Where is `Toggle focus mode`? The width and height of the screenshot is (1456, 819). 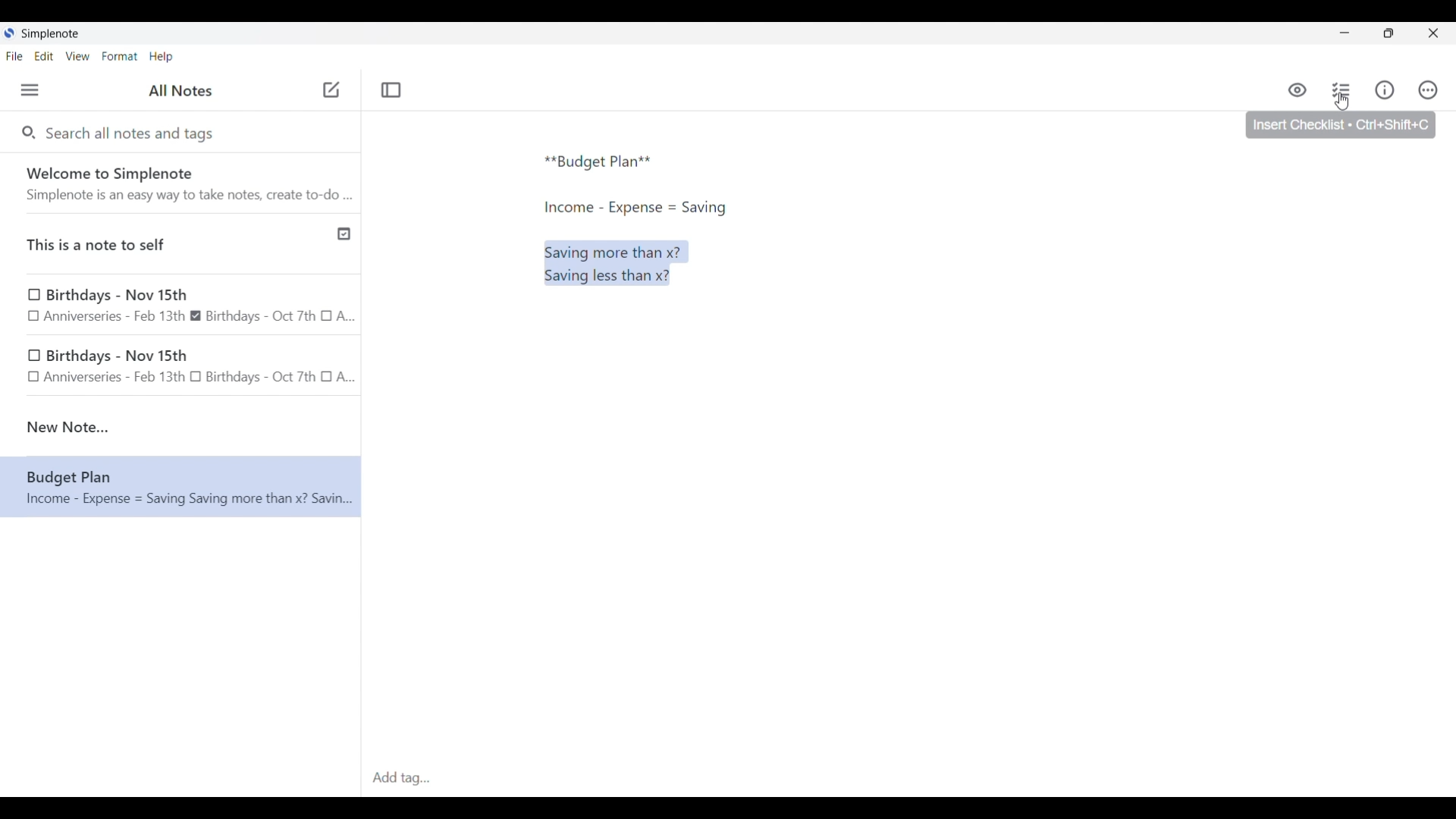 Toggle focus mode is located at coordinates (391, 90).